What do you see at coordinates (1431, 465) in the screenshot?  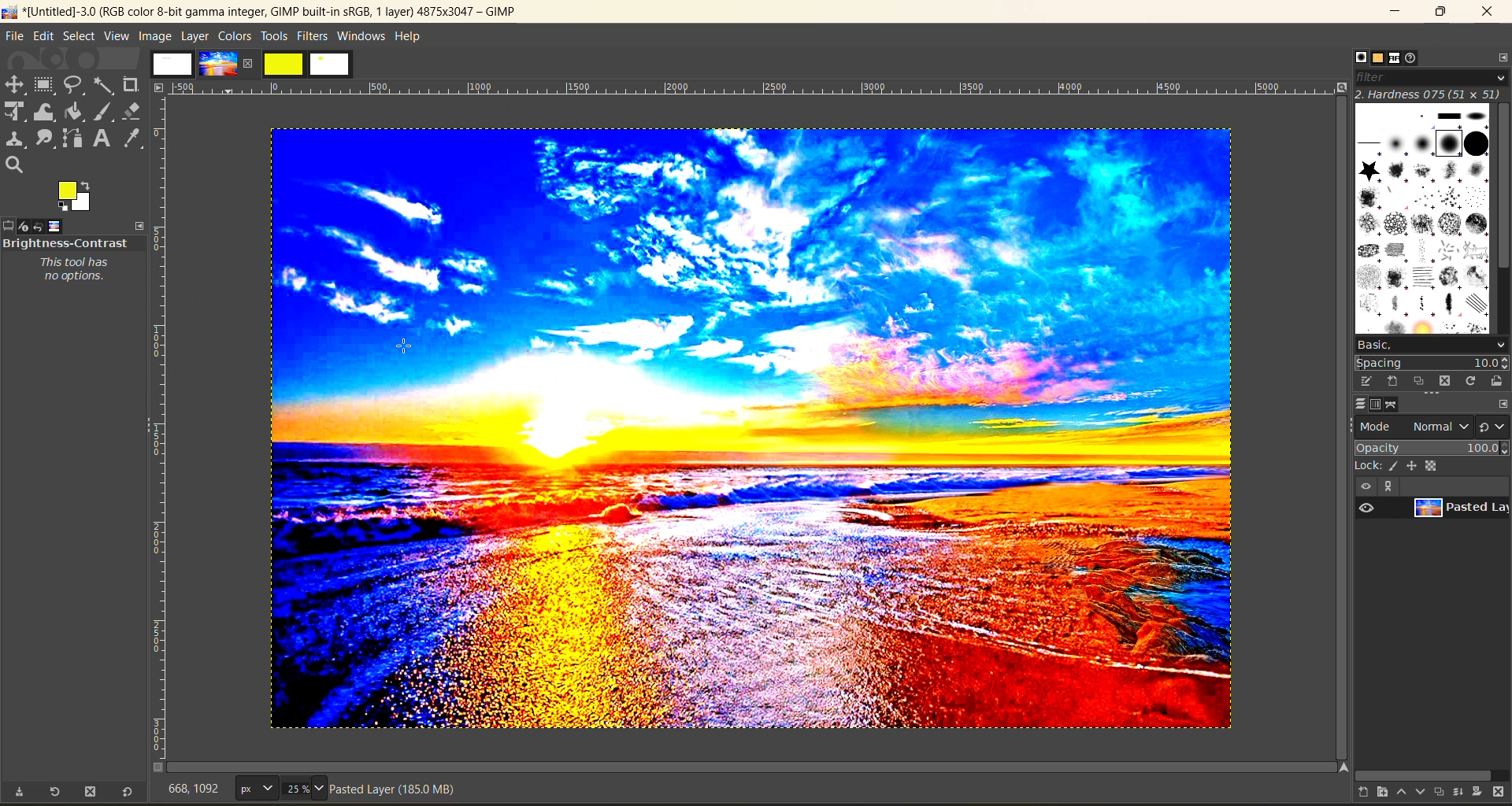 I see `lock pixels, position and size, alpha` at bounding box center [1431, 465].